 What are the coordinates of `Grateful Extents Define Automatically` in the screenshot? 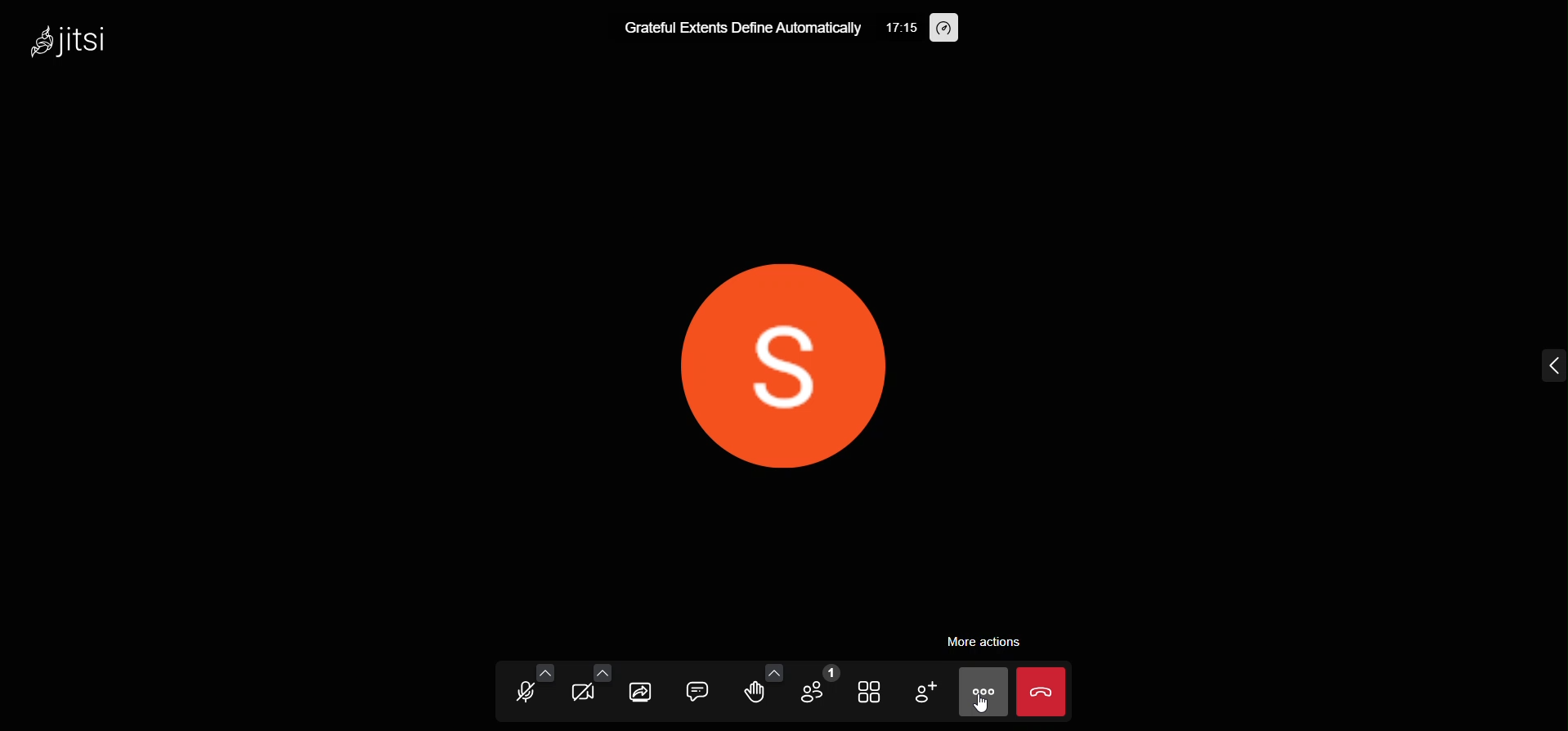 It's located at (738, 27).